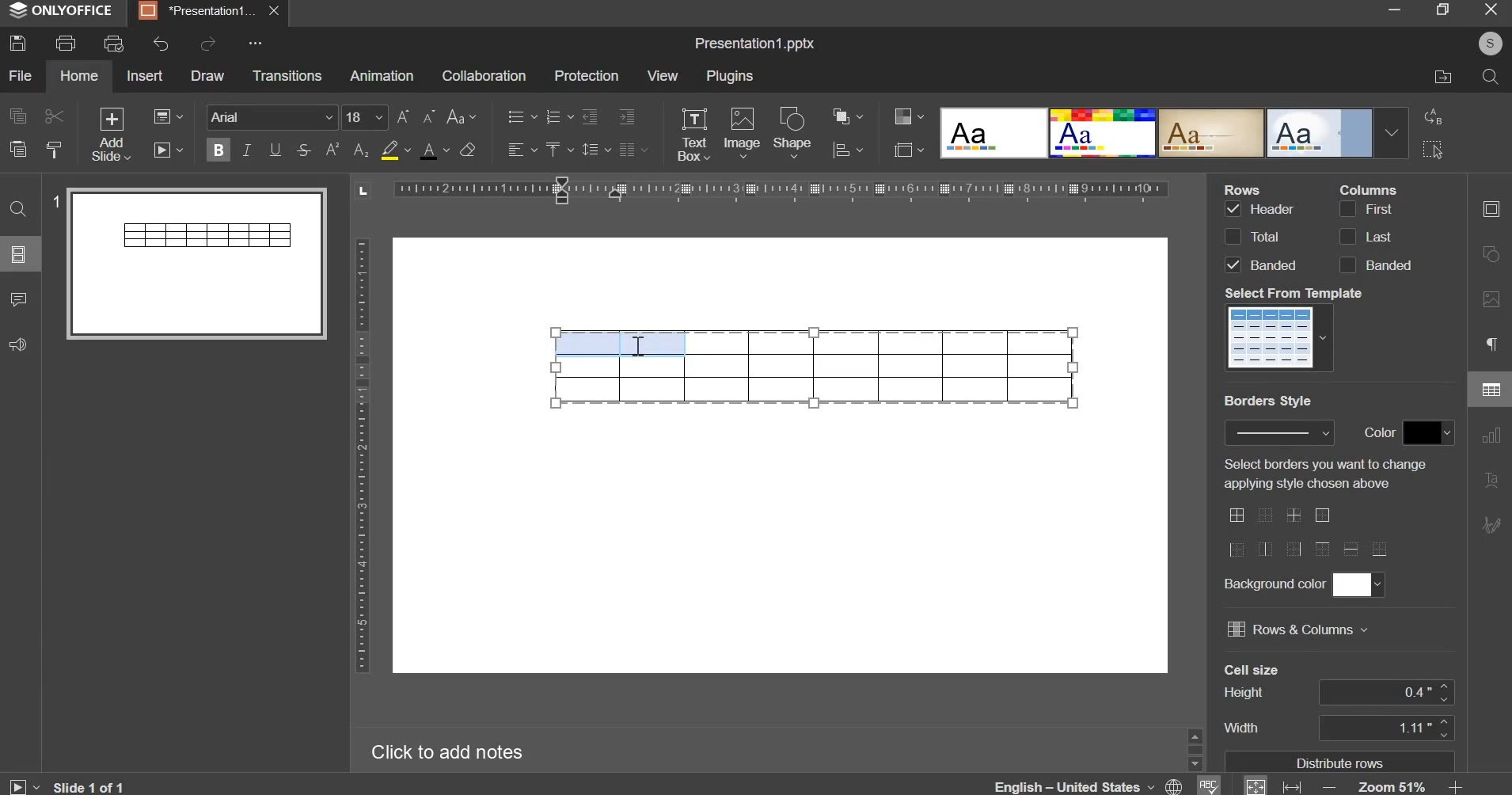 The height and width of the screenshot is (795, 1512). What do you see at coordinates (1309, 531) in the screenshot?
I see `border style` at bounding box center [1309, 531].